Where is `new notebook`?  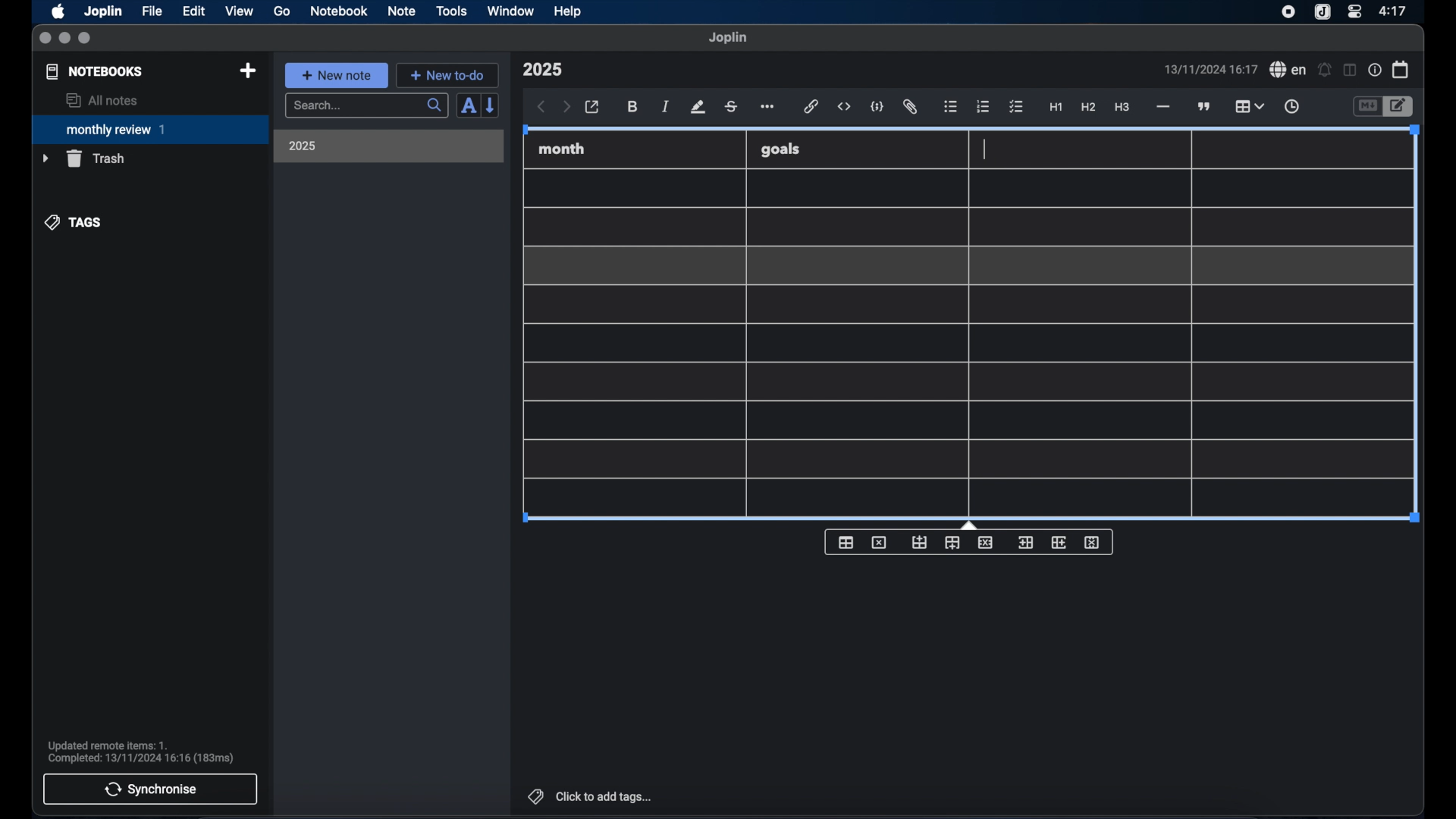 new notebook is located at coordinates (247, 71).